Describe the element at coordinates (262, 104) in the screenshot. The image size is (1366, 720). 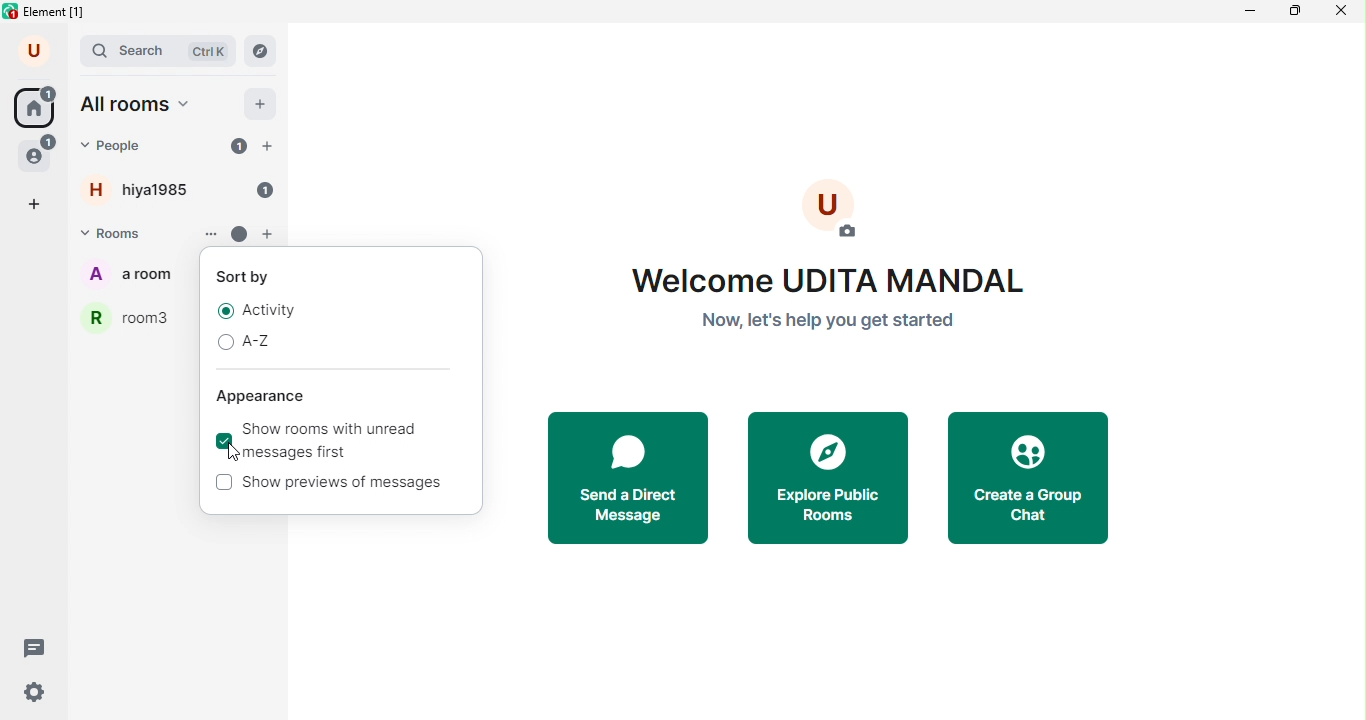
I see `add` at that location.